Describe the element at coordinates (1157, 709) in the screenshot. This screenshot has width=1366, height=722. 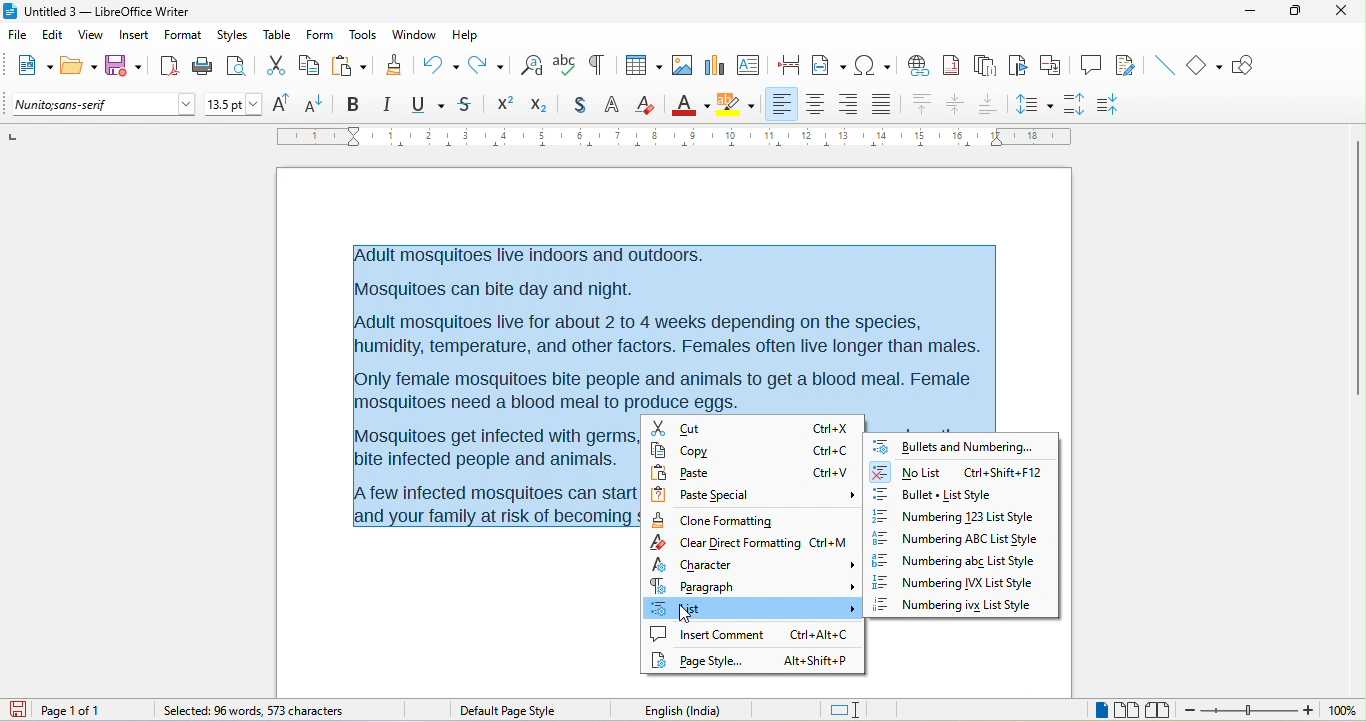
I see `book view` at that location.